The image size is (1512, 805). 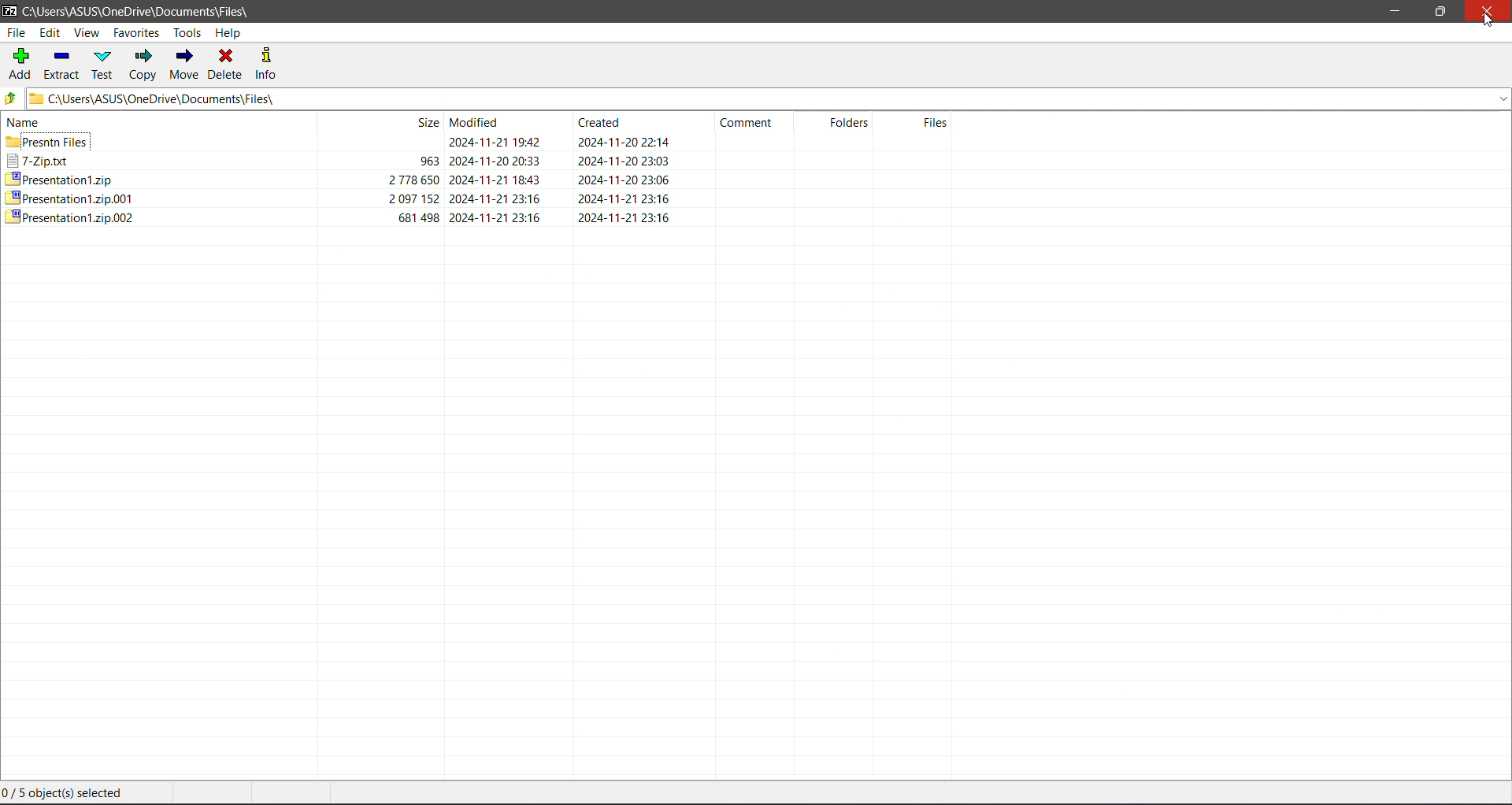 What do you see at coordinates (53, 34) in the screenshot?
I see `Edit` at bounding box center [53, 34].